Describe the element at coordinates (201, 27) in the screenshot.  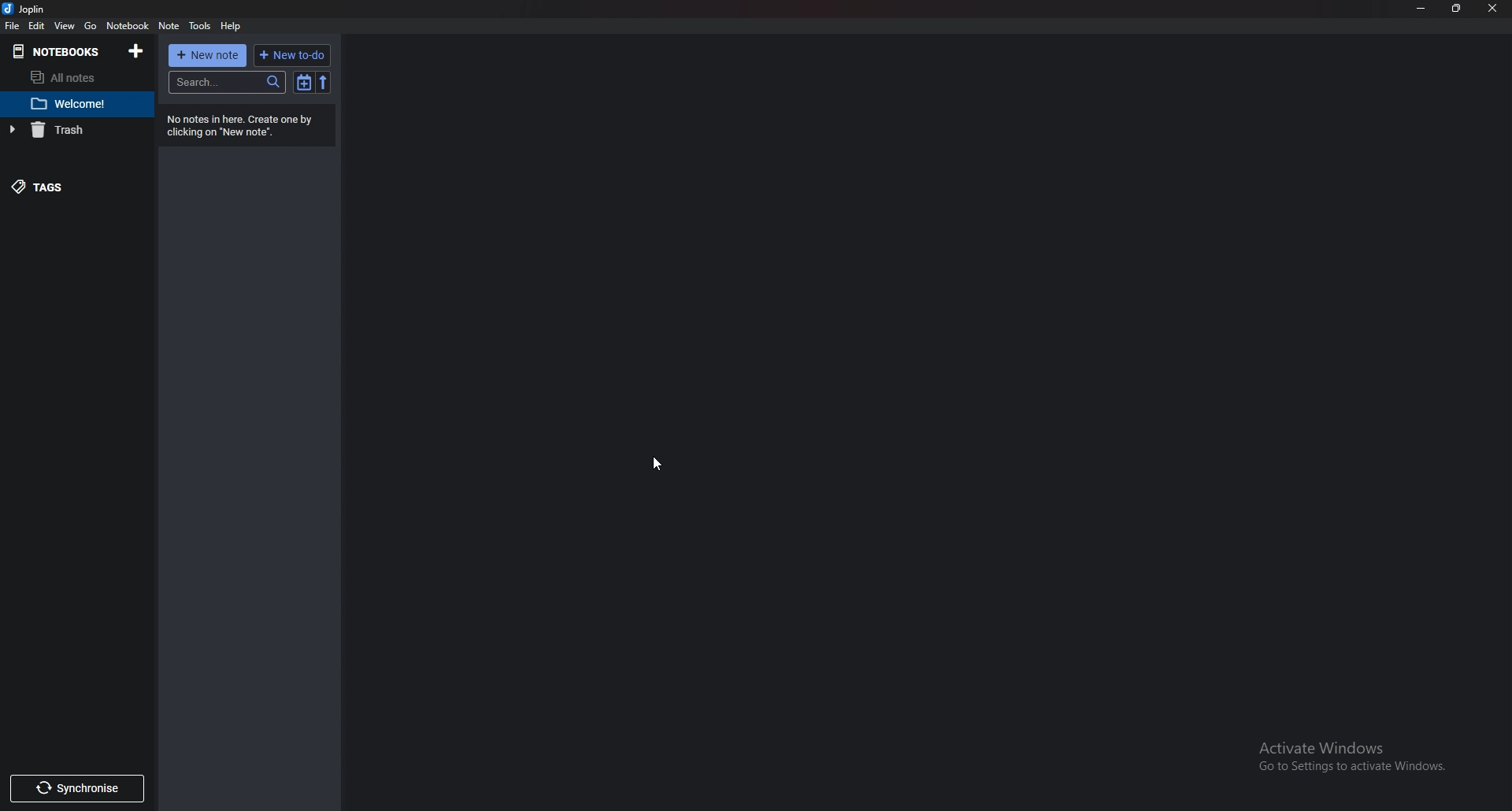
I see `Tools` at that location.